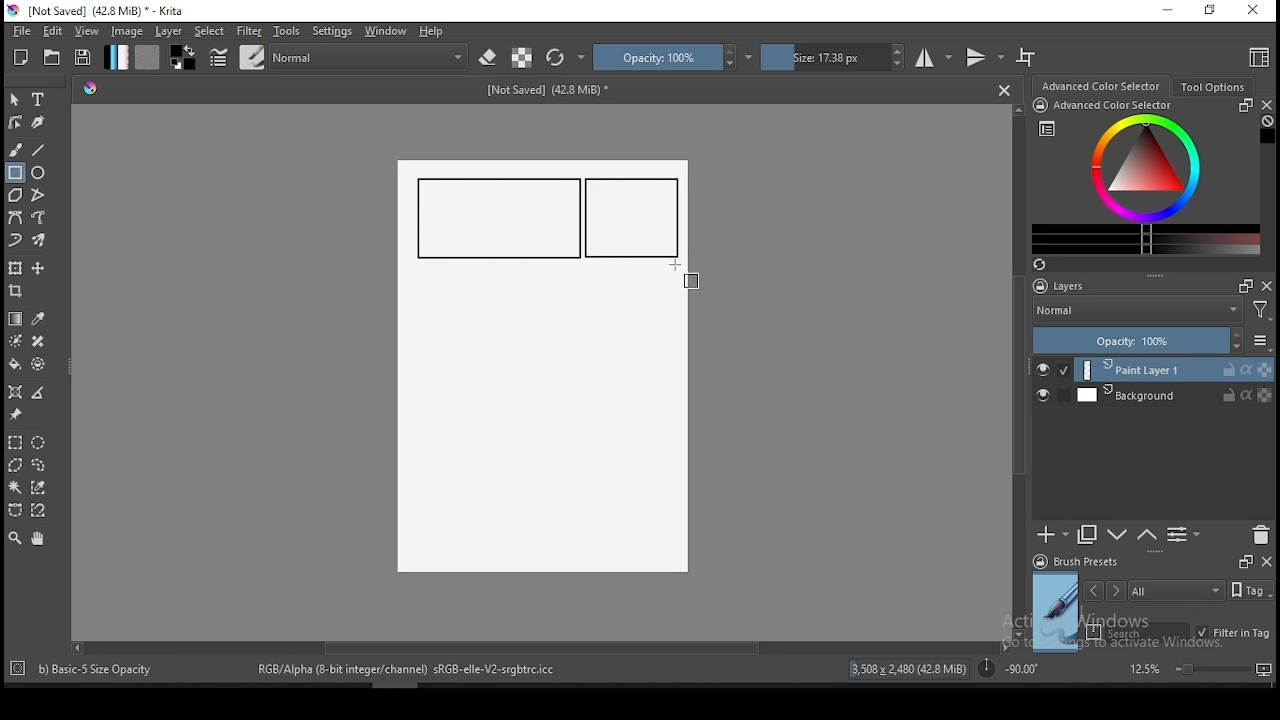 The image size is (1280, 720). What do you see at coordinates (1266, 105) in the screenshot?
I see `close docker` at bounding box center [1266, 105].